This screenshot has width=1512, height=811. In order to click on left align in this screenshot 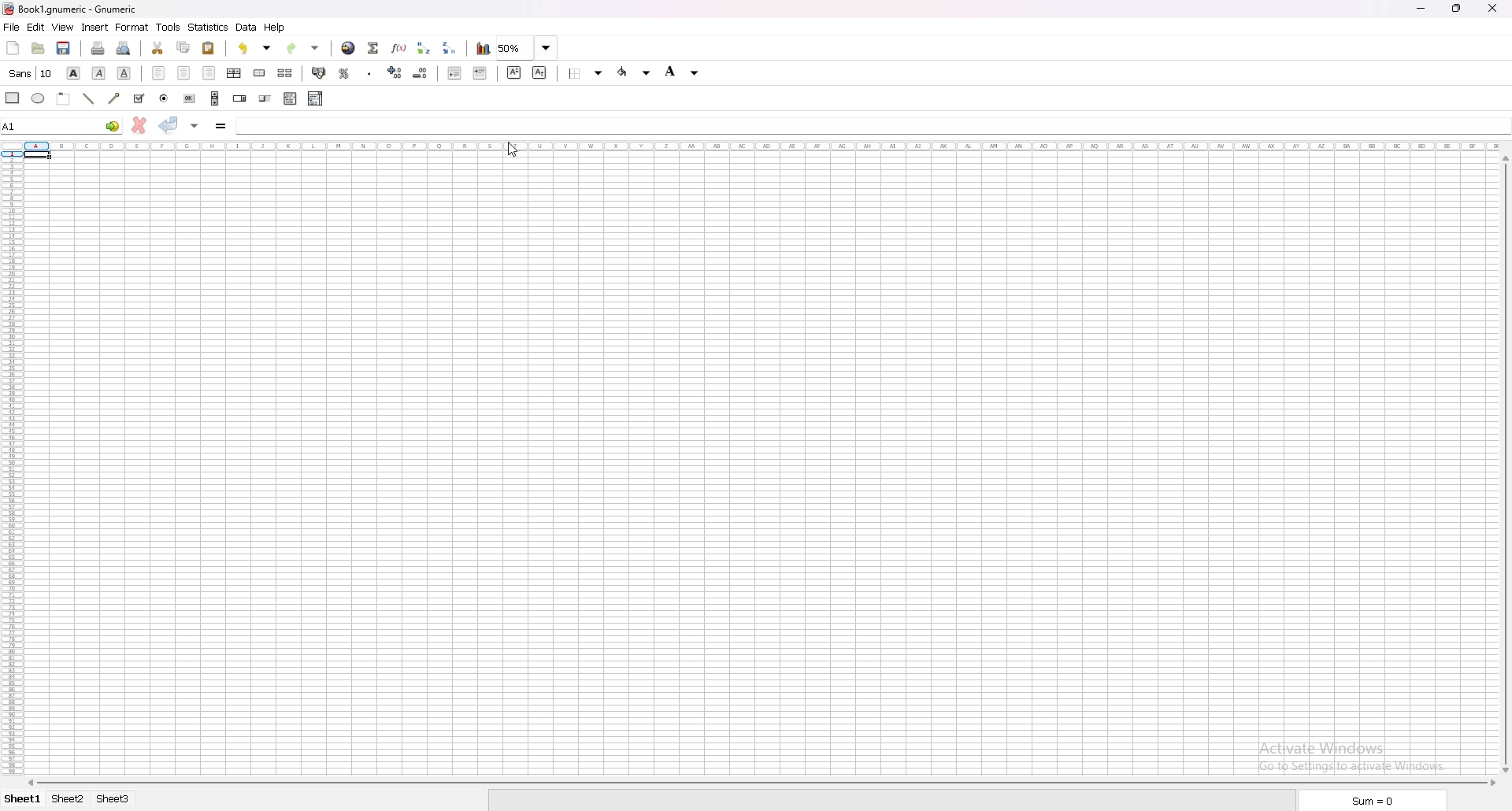, I will do `click(158, 73)`.